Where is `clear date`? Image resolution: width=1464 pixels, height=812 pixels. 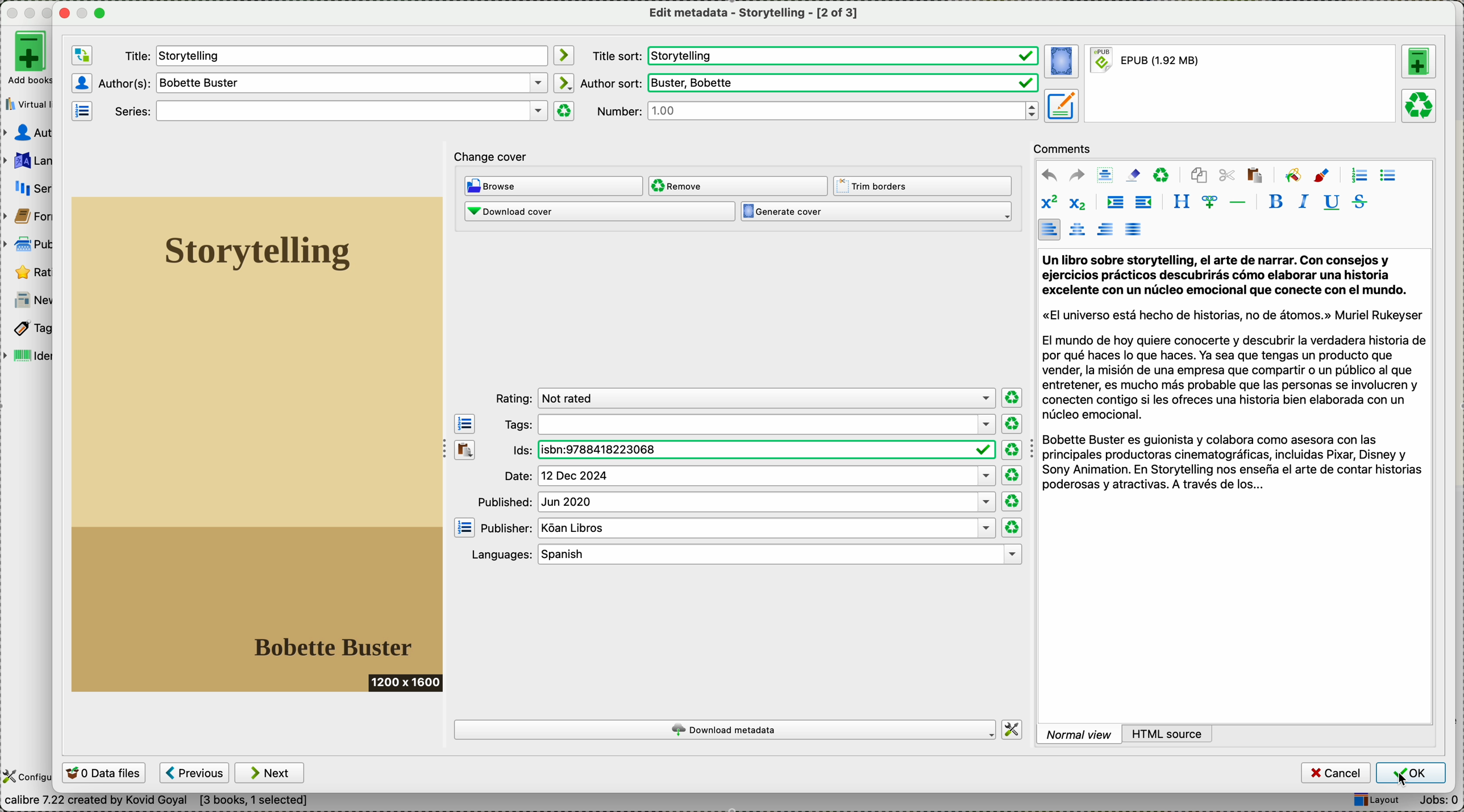
clear date is located at coordinates (1014, 475).